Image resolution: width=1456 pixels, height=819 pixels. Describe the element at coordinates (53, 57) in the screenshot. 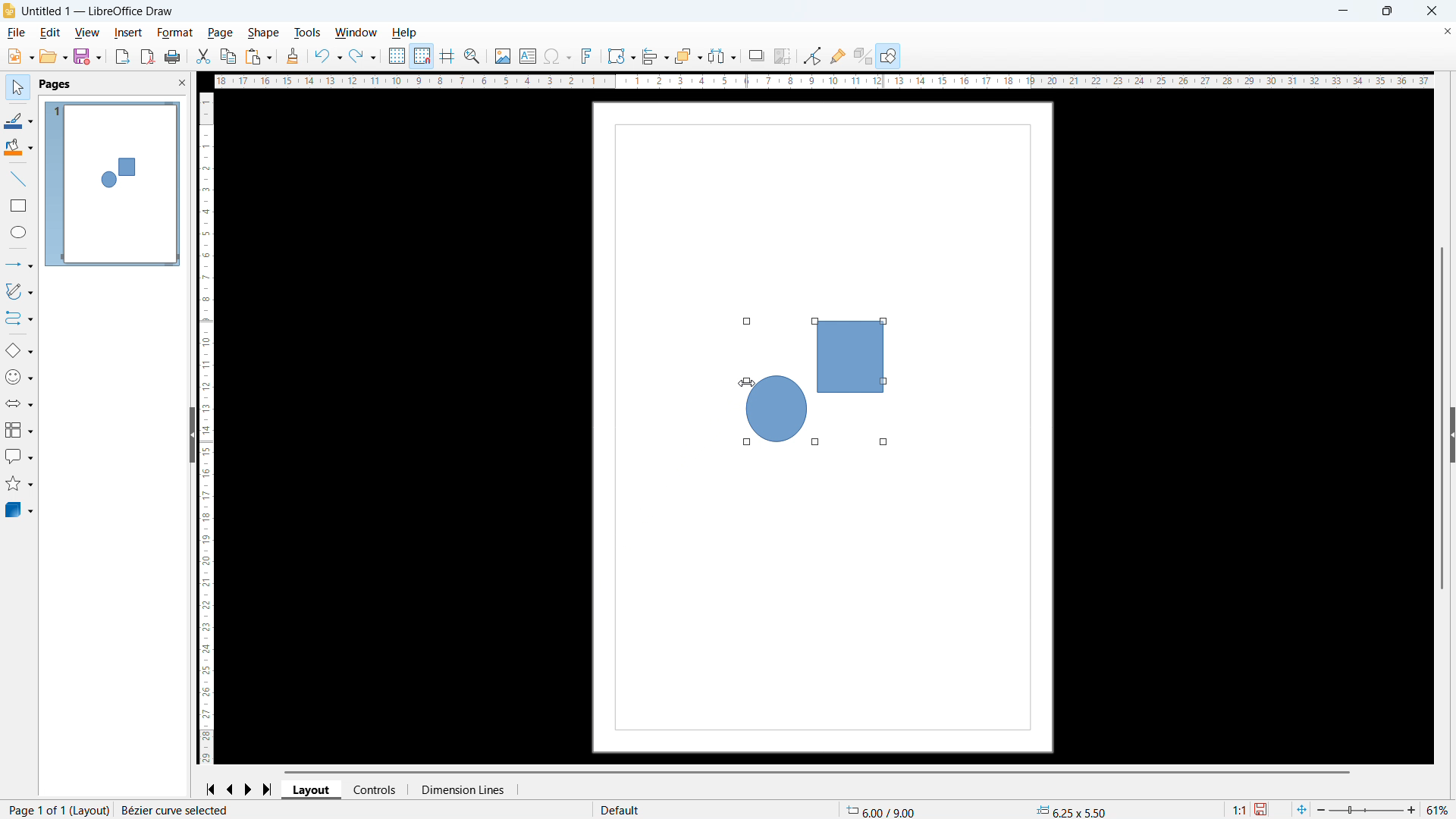

I see `open ` at that location.